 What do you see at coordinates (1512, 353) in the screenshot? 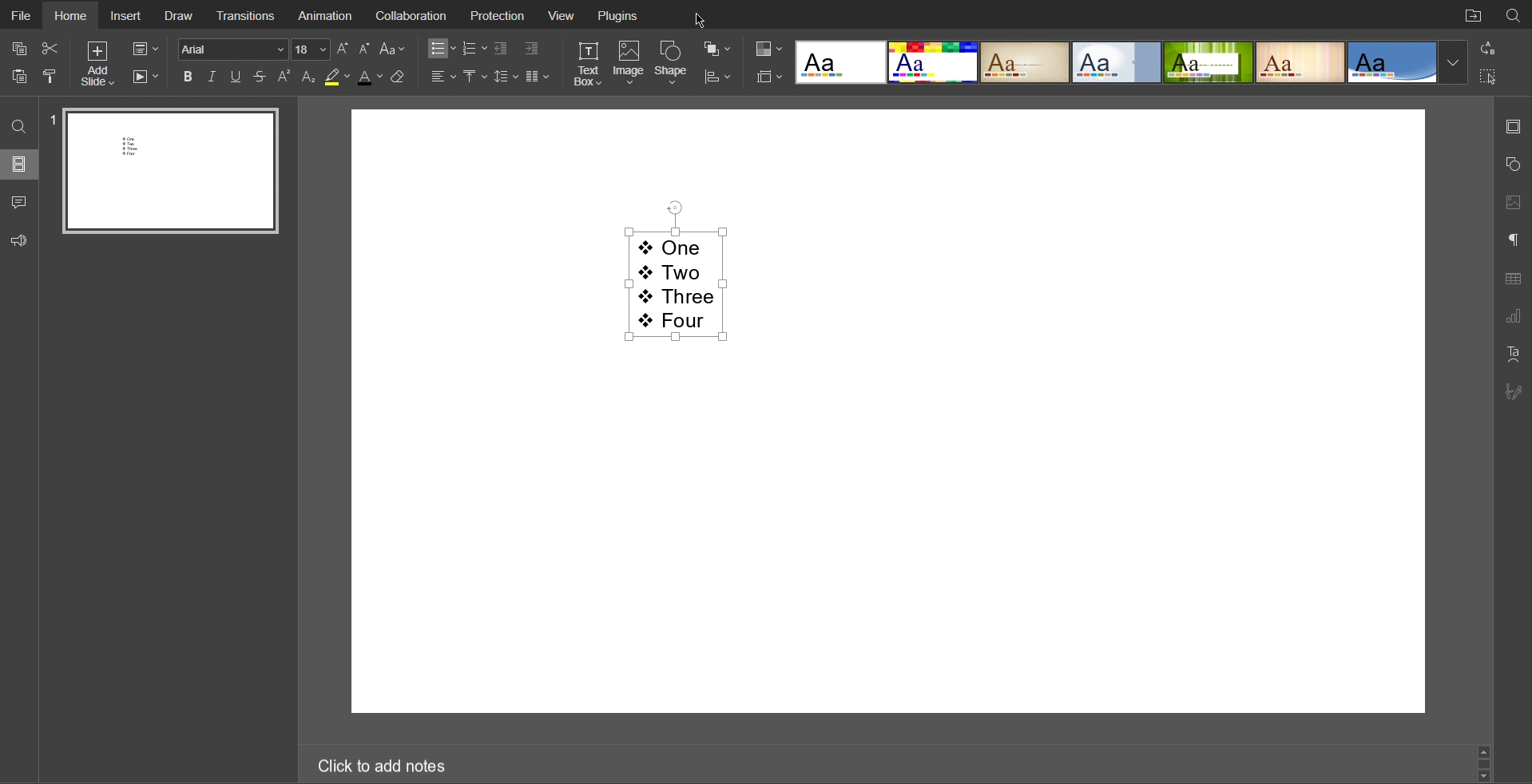
I see `Text Art` at bounding box center [1512, 353].